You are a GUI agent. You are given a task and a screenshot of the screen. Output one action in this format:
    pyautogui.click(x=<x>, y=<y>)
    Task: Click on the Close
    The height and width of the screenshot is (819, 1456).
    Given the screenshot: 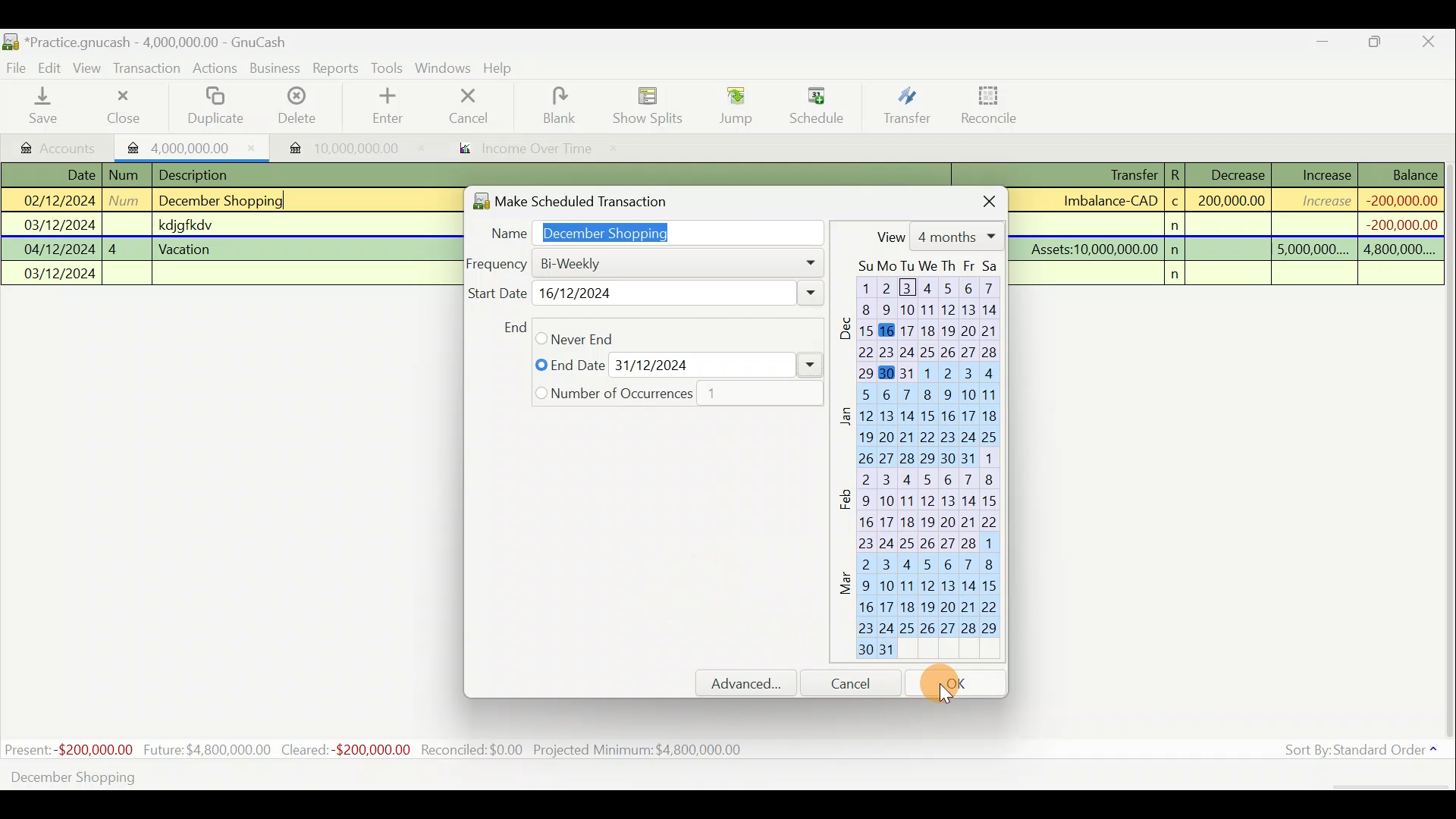 What is the action you would take?
    pyautogui.click(x=977, y=199)
    